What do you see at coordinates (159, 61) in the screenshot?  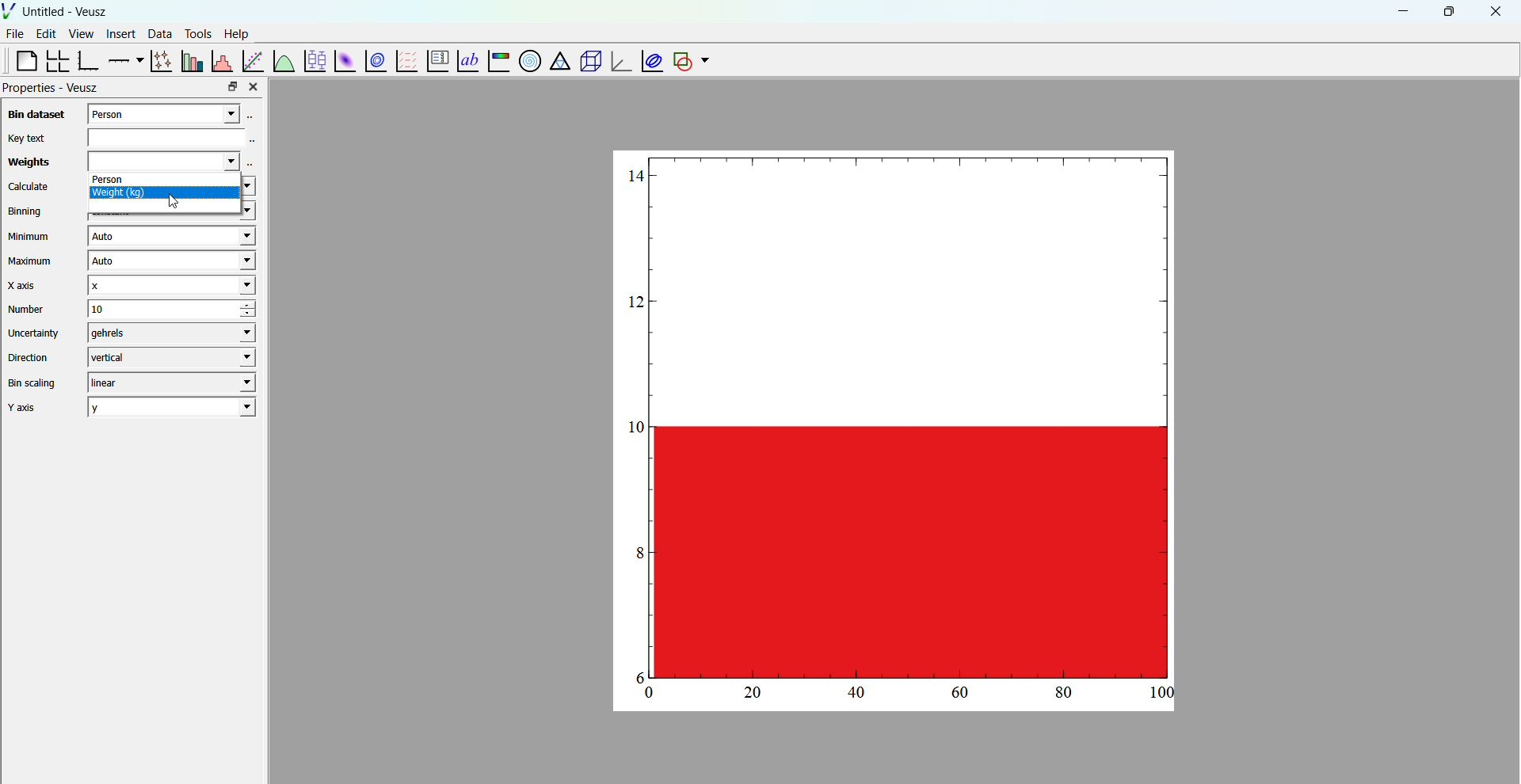 I see `plot points with lines and errorbars` at bounding box center [159, 61].